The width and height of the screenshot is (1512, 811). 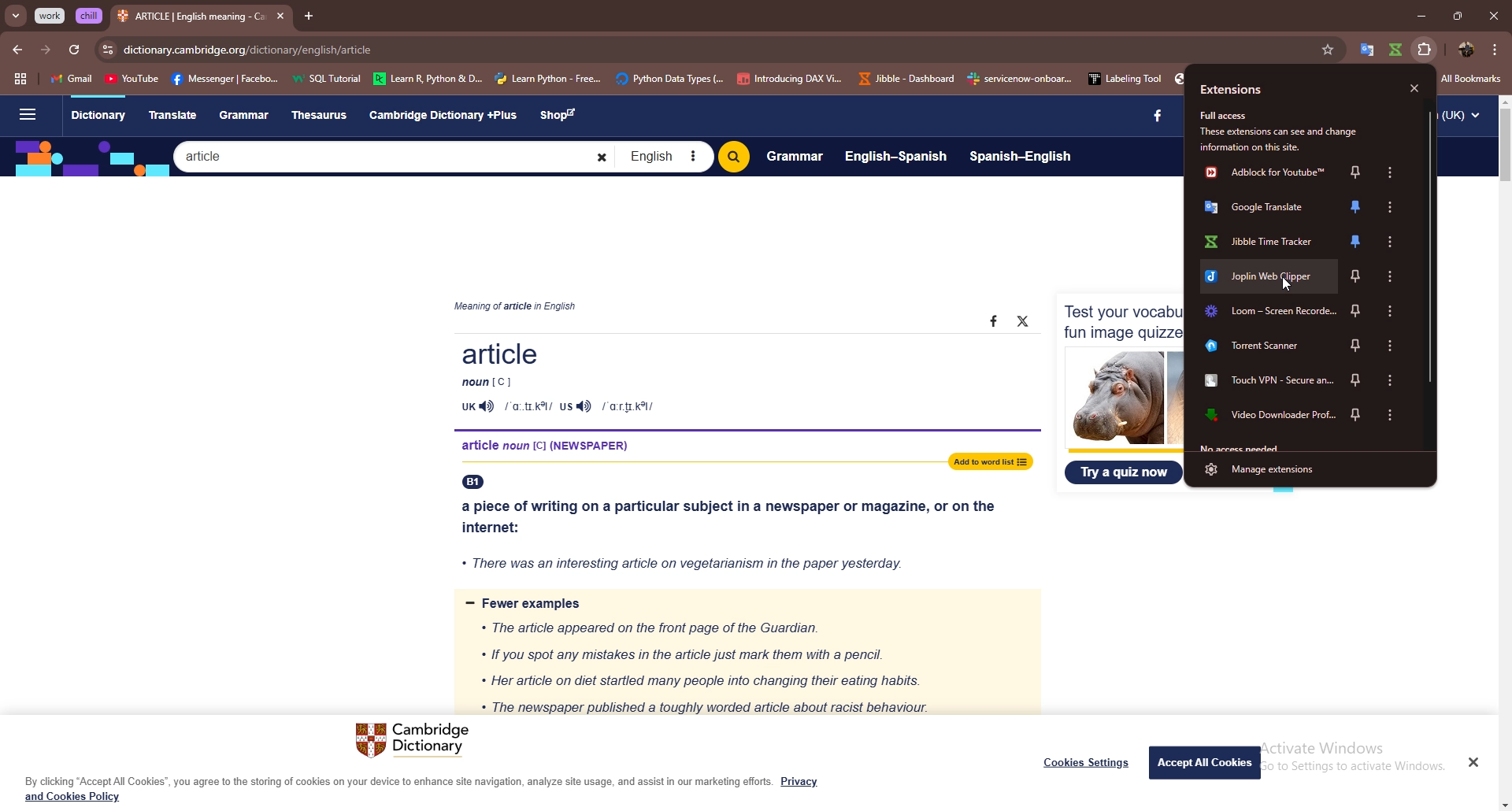 I want to click on Article, so click(x=733, y=379).